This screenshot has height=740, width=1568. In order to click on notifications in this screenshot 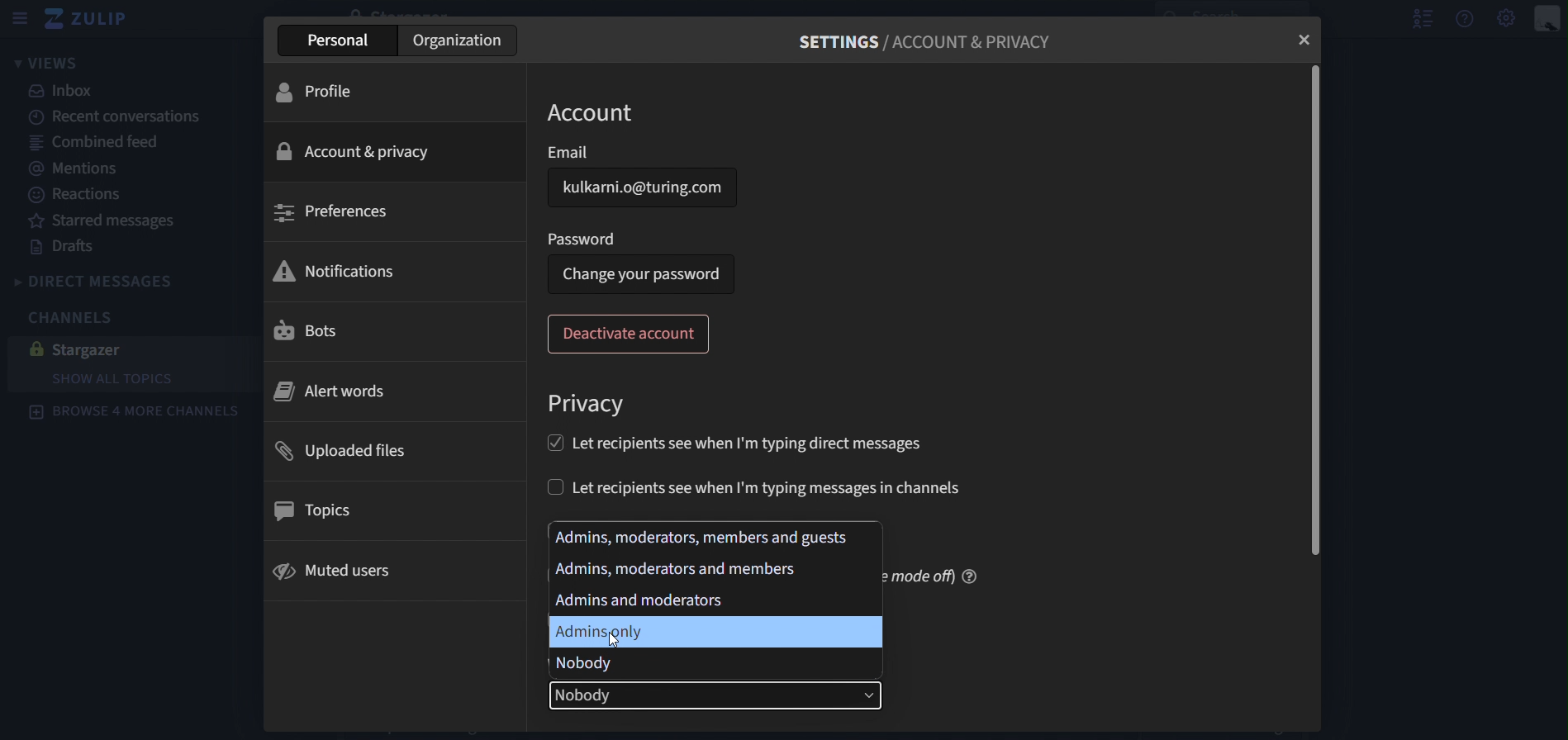, I will do `click(337, 273)`.